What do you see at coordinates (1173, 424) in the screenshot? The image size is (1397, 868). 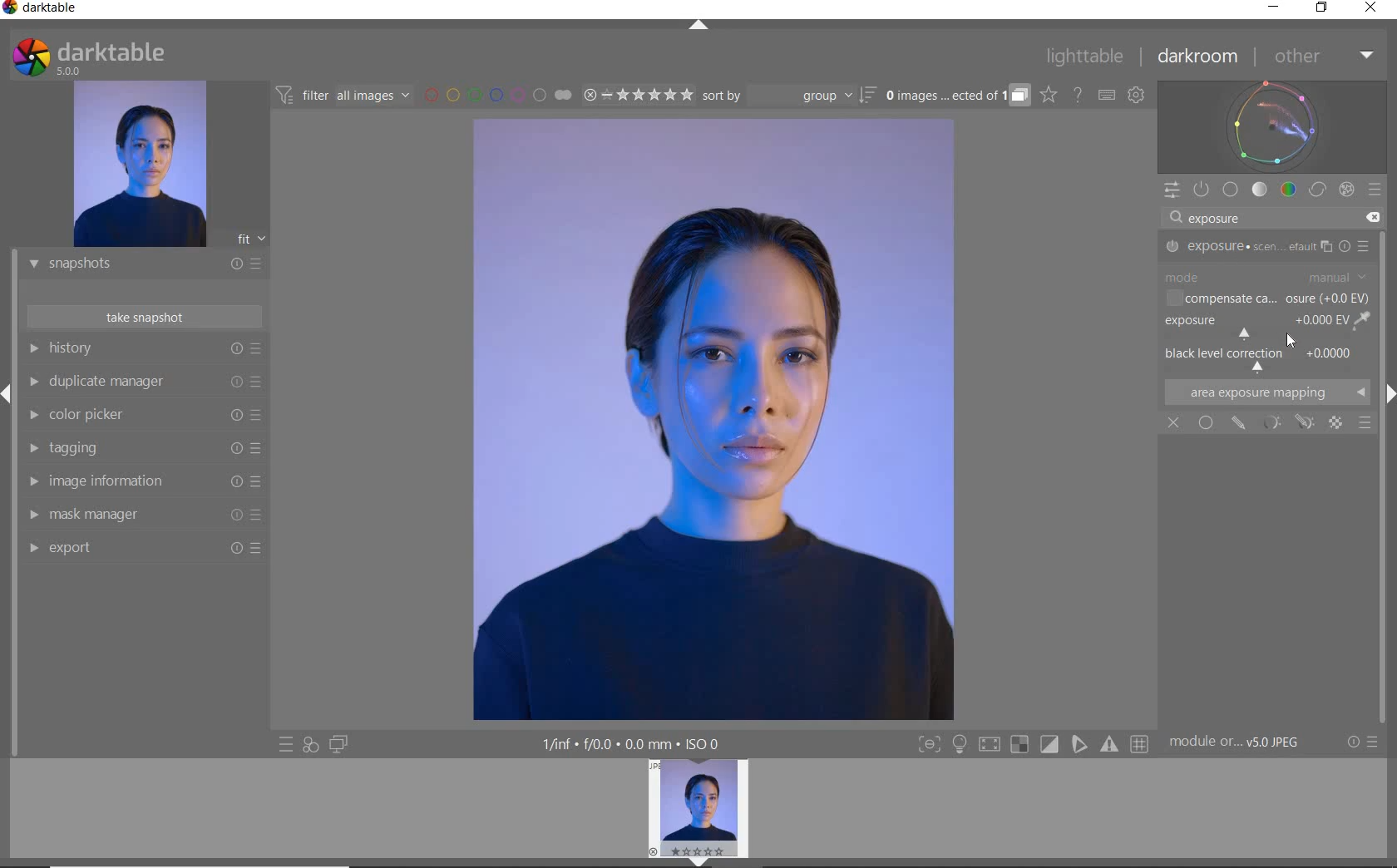 I see `OFF` at bounding box center [1173, 424].